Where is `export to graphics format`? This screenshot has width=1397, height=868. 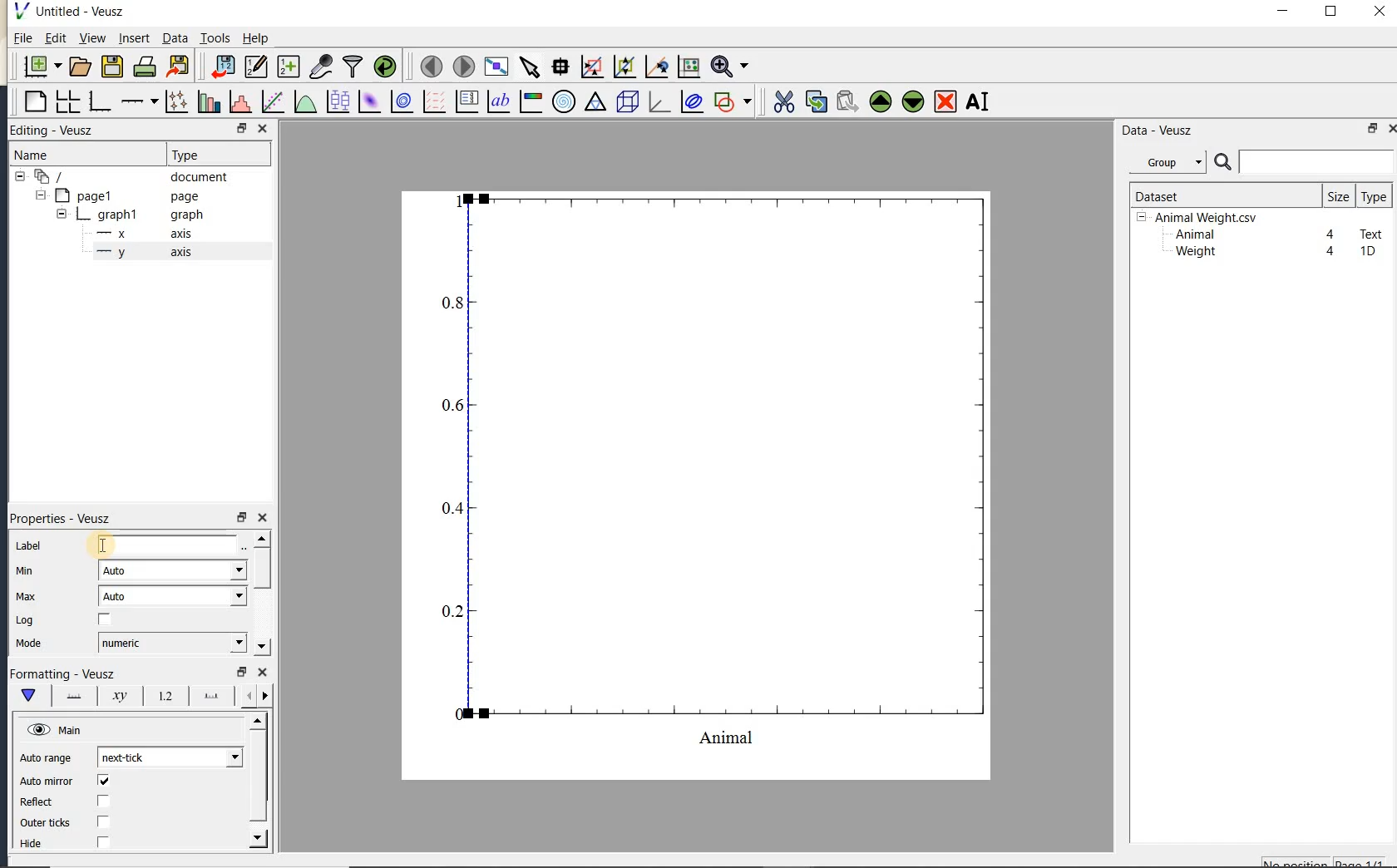
export to graphics format is located at coordinates (179, 65).